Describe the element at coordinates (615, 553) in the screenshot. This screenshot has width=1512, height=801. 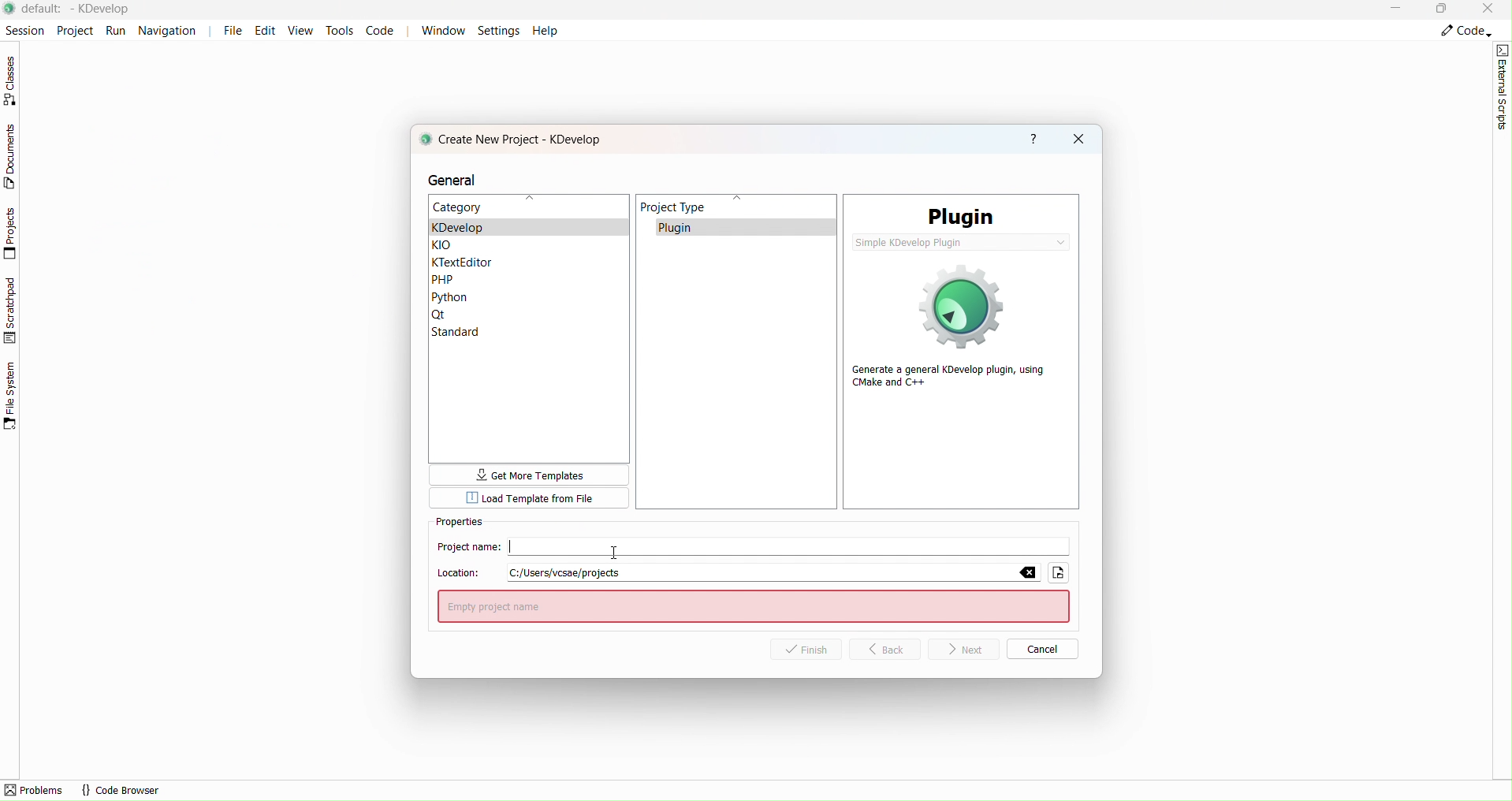
I see `cursor` at that location.